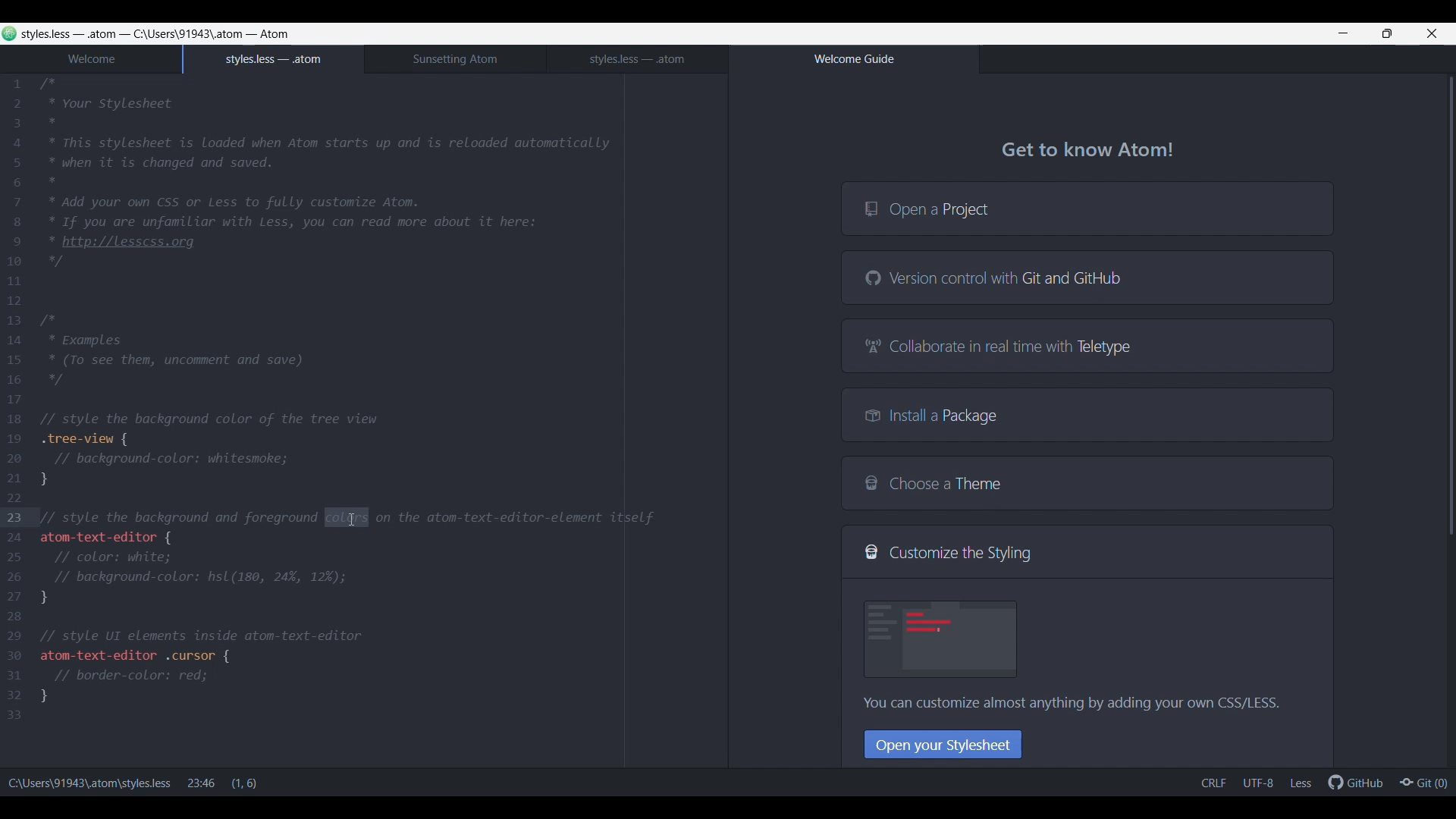 This screenshot has width=1456, height=819. What do you see at coordinates (1087, 277) in the screenshot?
I see `Version control with Git and GitHub` at bounding box center [1087, 277].